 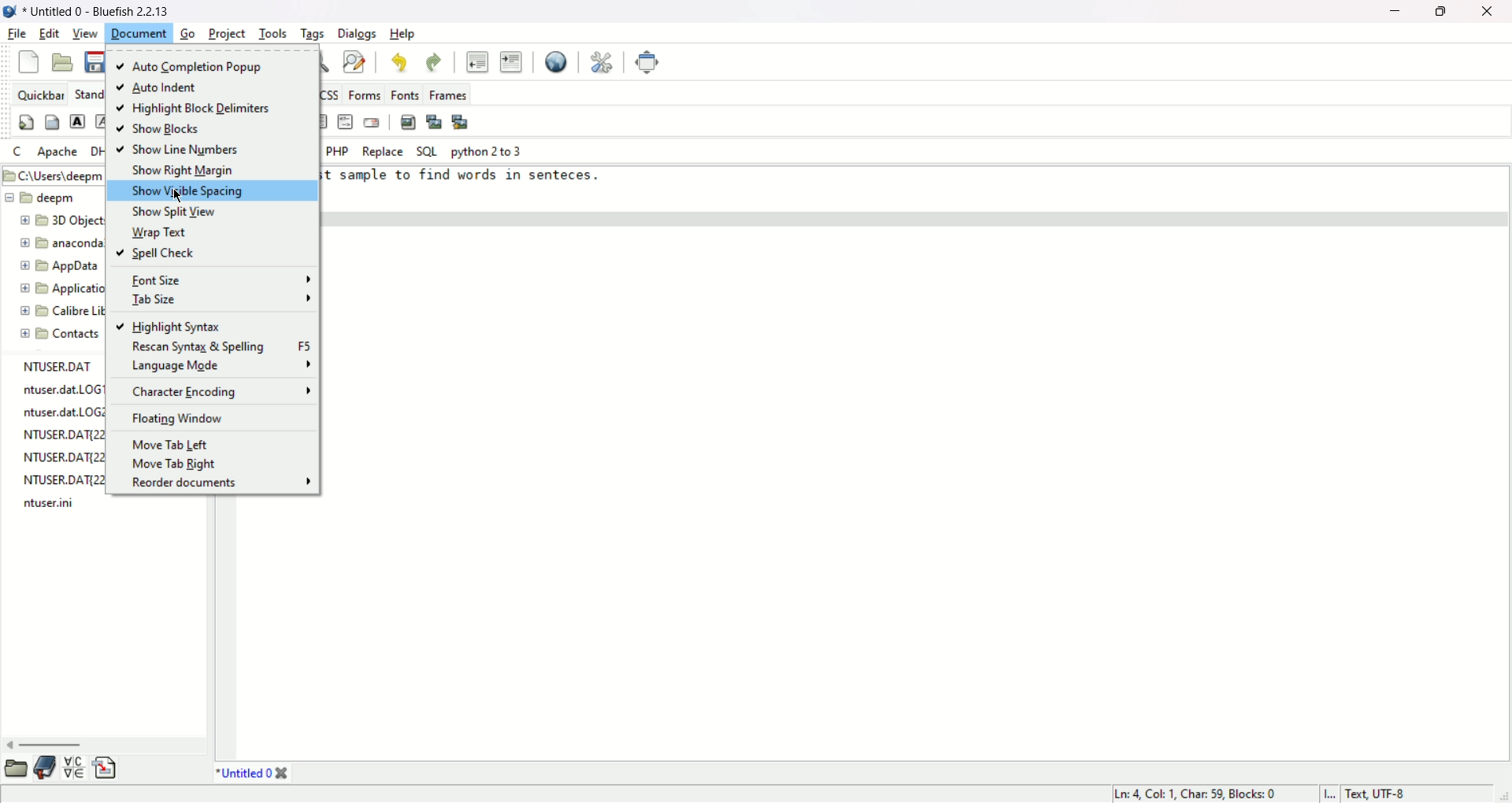 What do you see at coordinates (52, 503) in the screenshot?
I see `ntuser.ini` at bounding box center [52, 503].